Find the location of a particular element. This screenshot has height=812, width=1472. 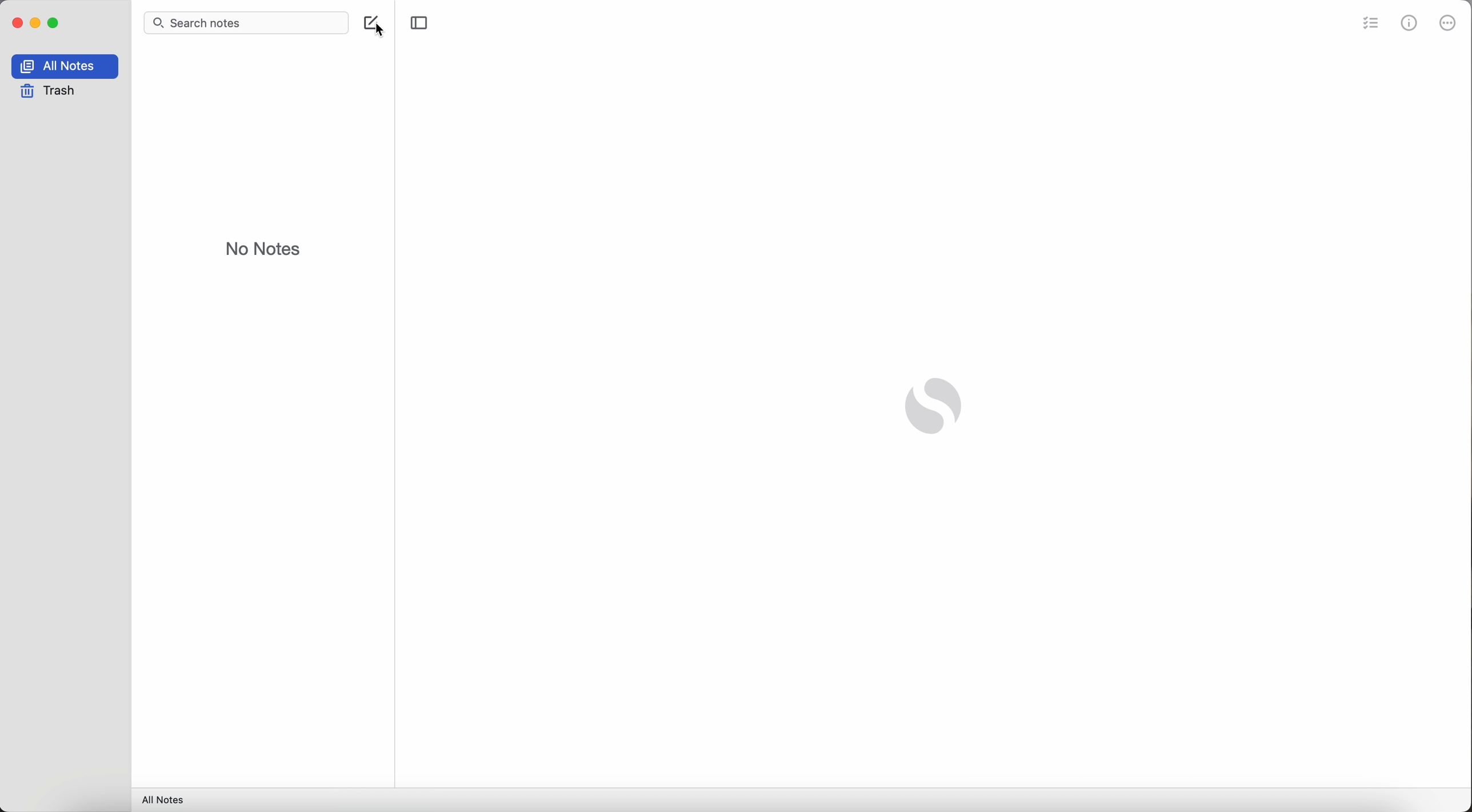

no notes is located at coordinates (262, 249).